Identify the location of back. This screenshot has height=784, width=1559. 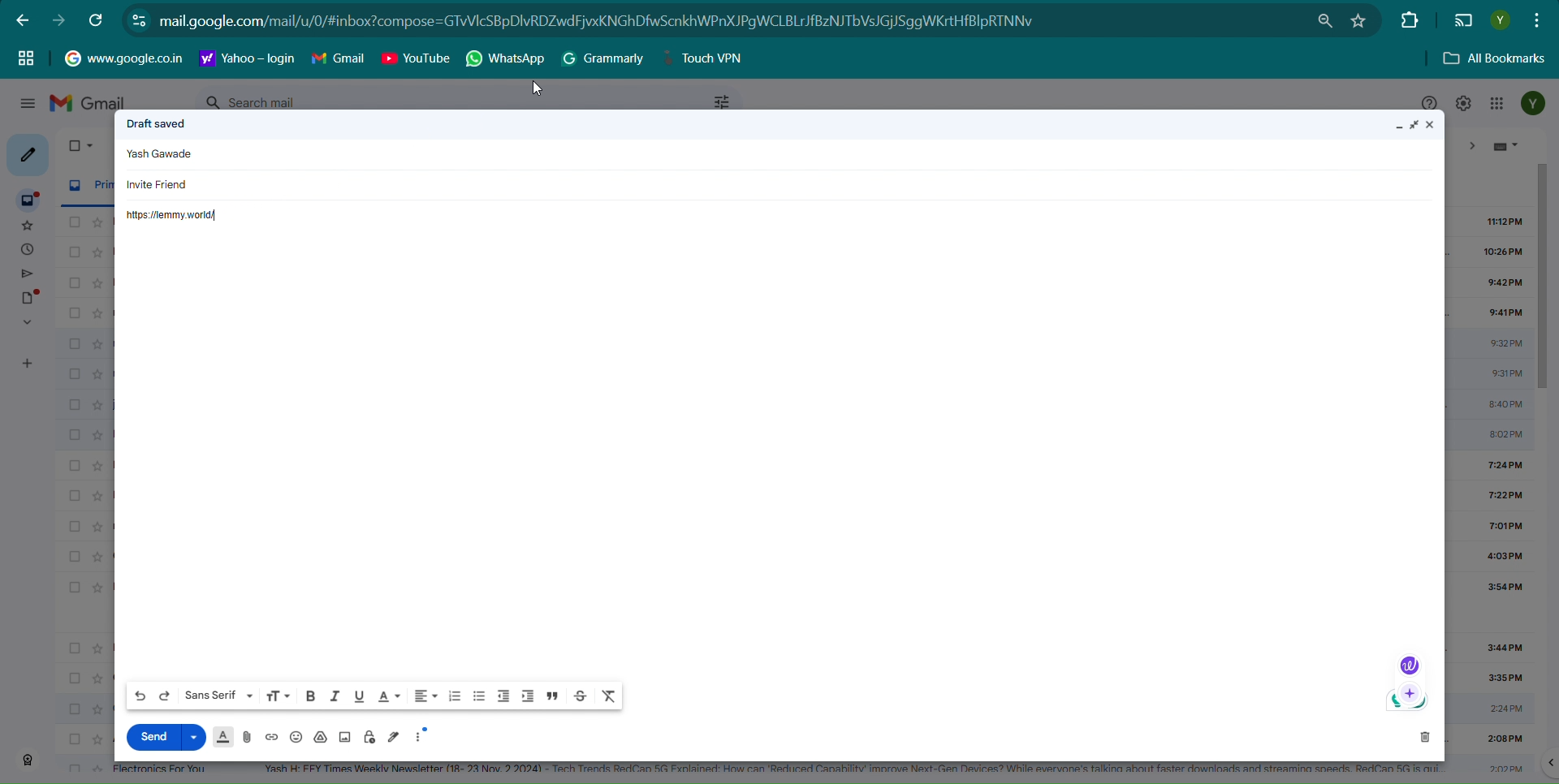
(23, 19).